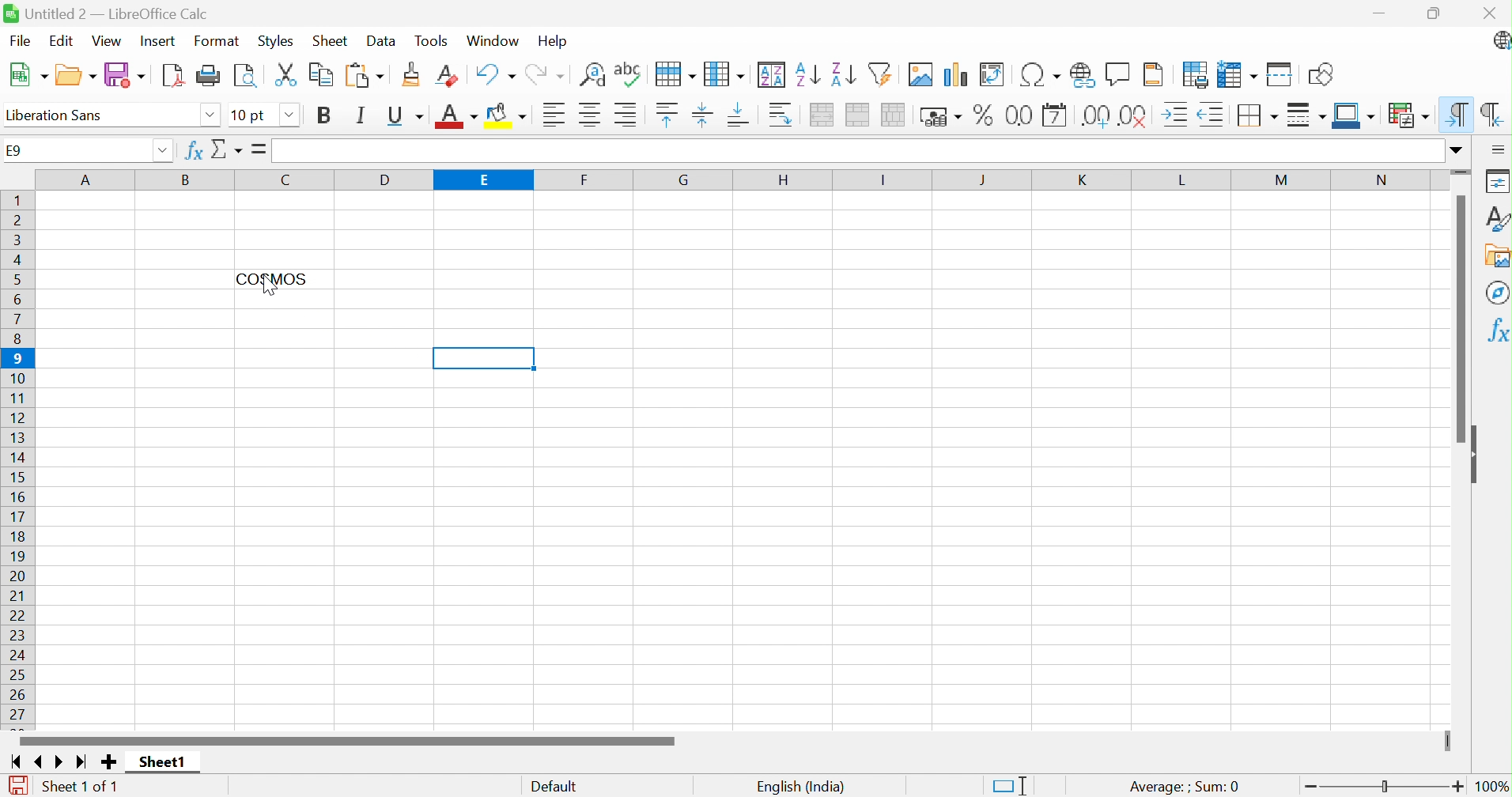  I want to click on Open, so click(75, 73).